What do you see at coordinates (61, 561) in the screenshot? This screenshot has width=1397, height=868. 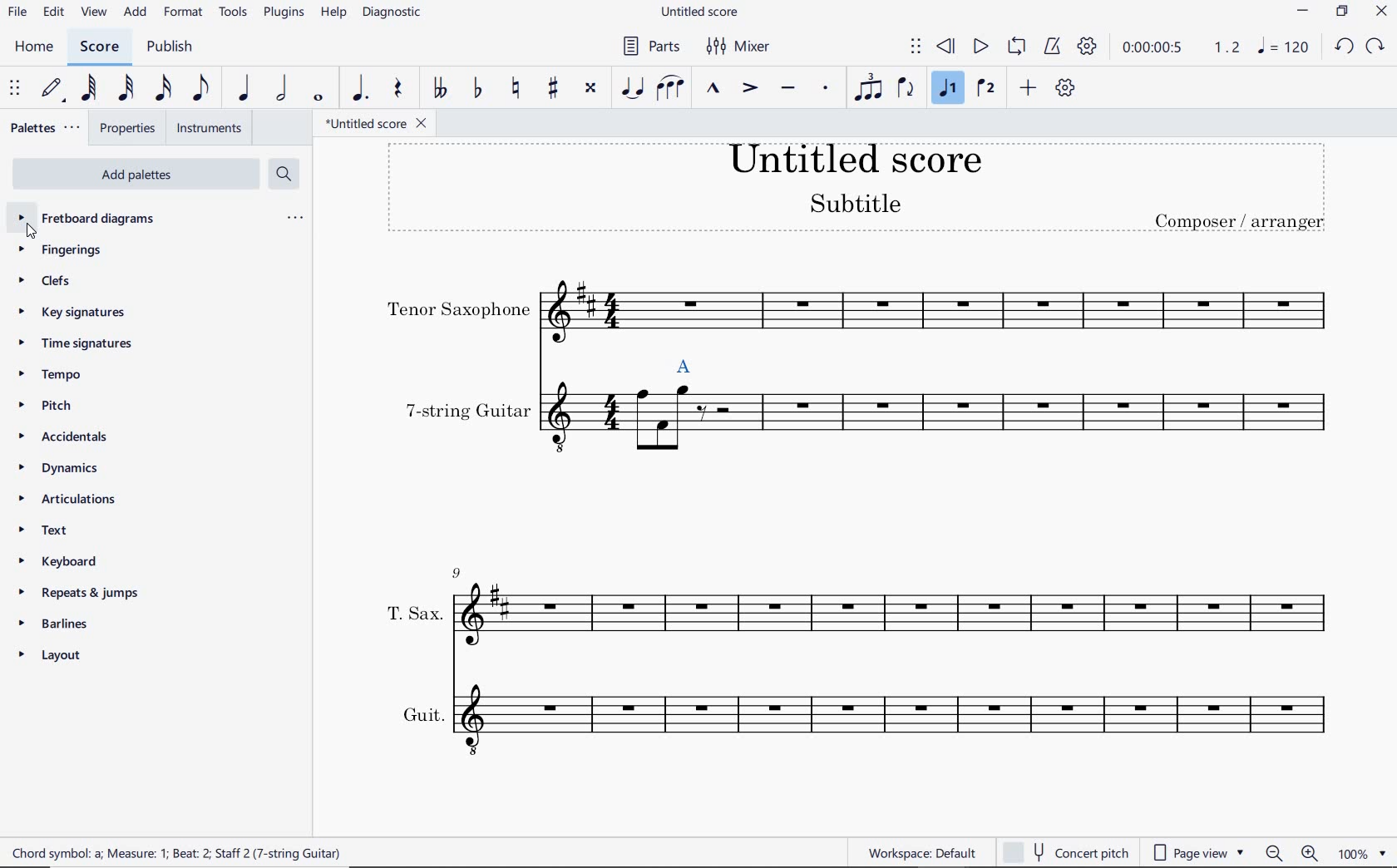 I see `KEYBOARD` at bounding box center [61, 561].